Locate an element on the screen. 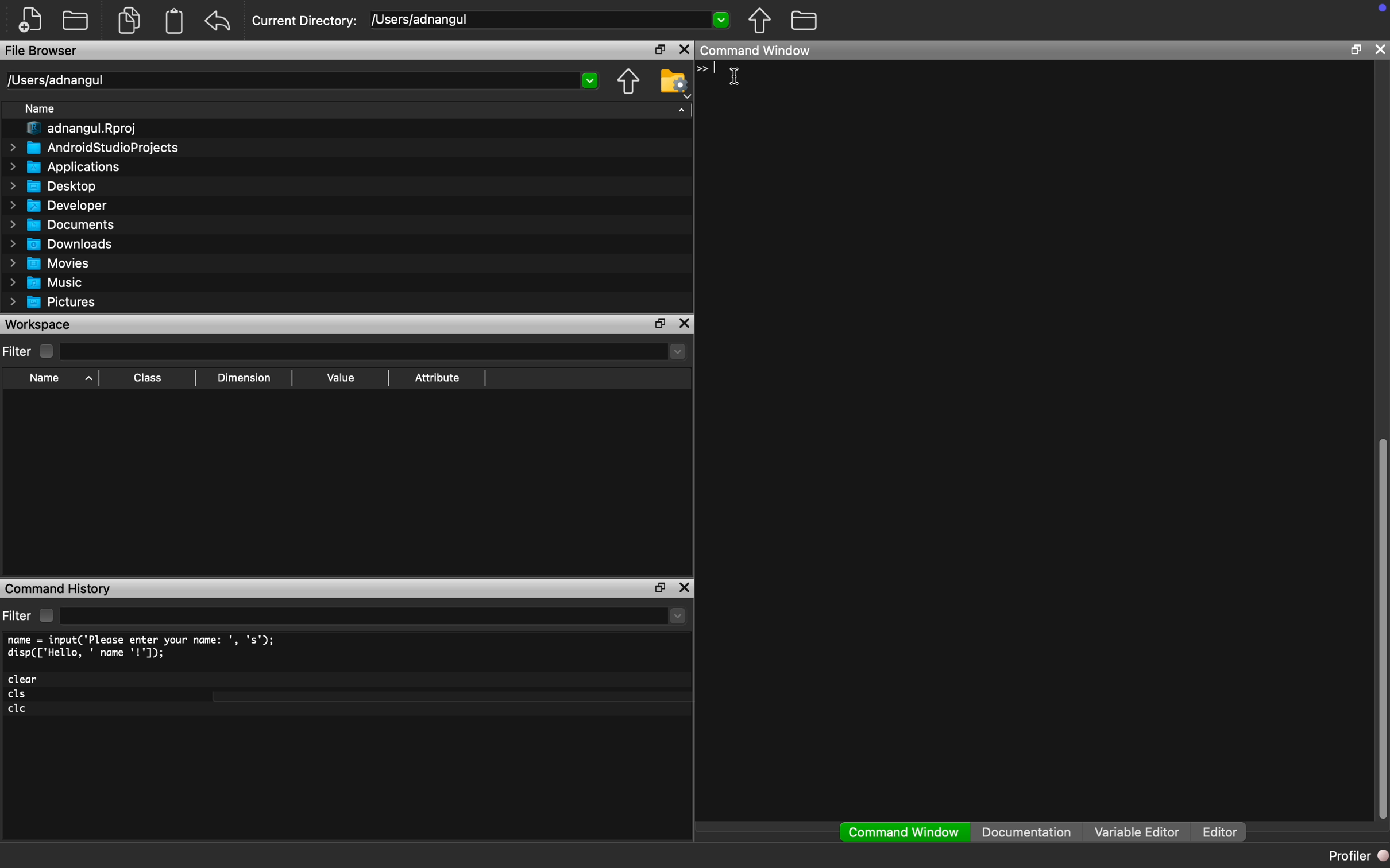 The image size is (1390, 868). Music is located at coordinates (45, 283).